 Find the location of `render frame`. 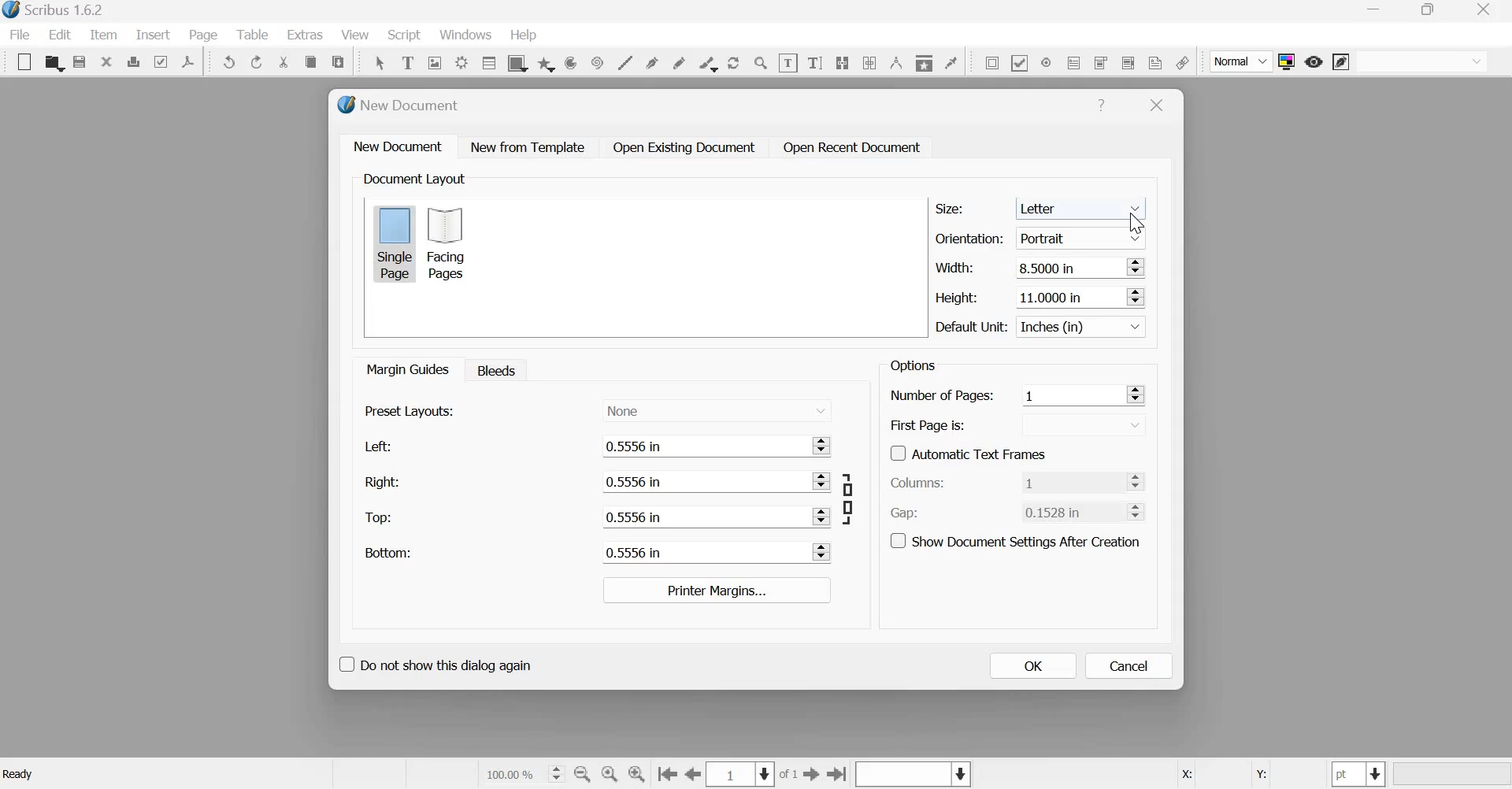

render frame is located at coordinates (461, 61).